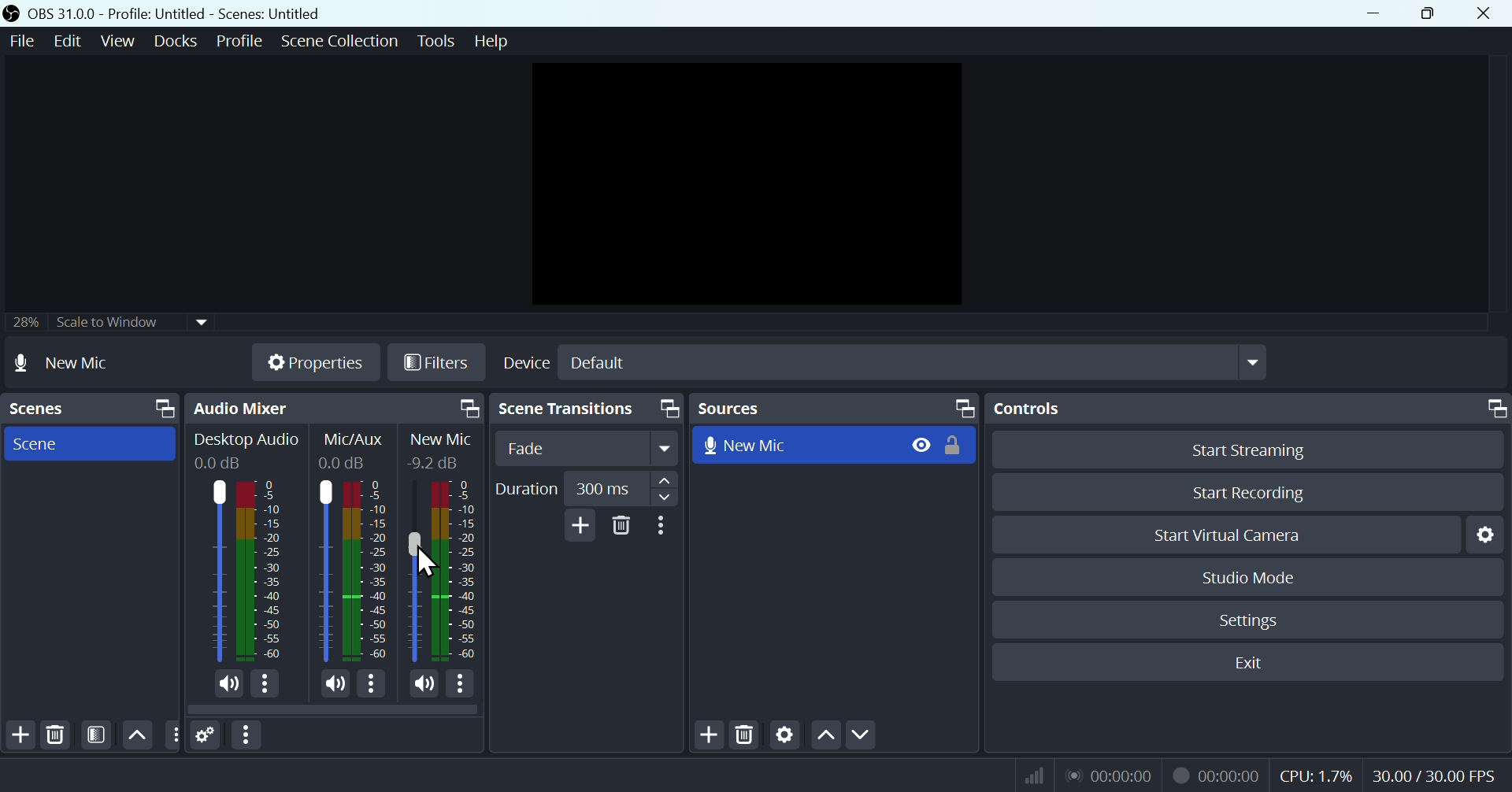 The width and height of the screenshot is (1512, 792). What do you see at coordinates (437, 365) in the screenshot?
I see `Filtres` at bounding box center [437, 365].